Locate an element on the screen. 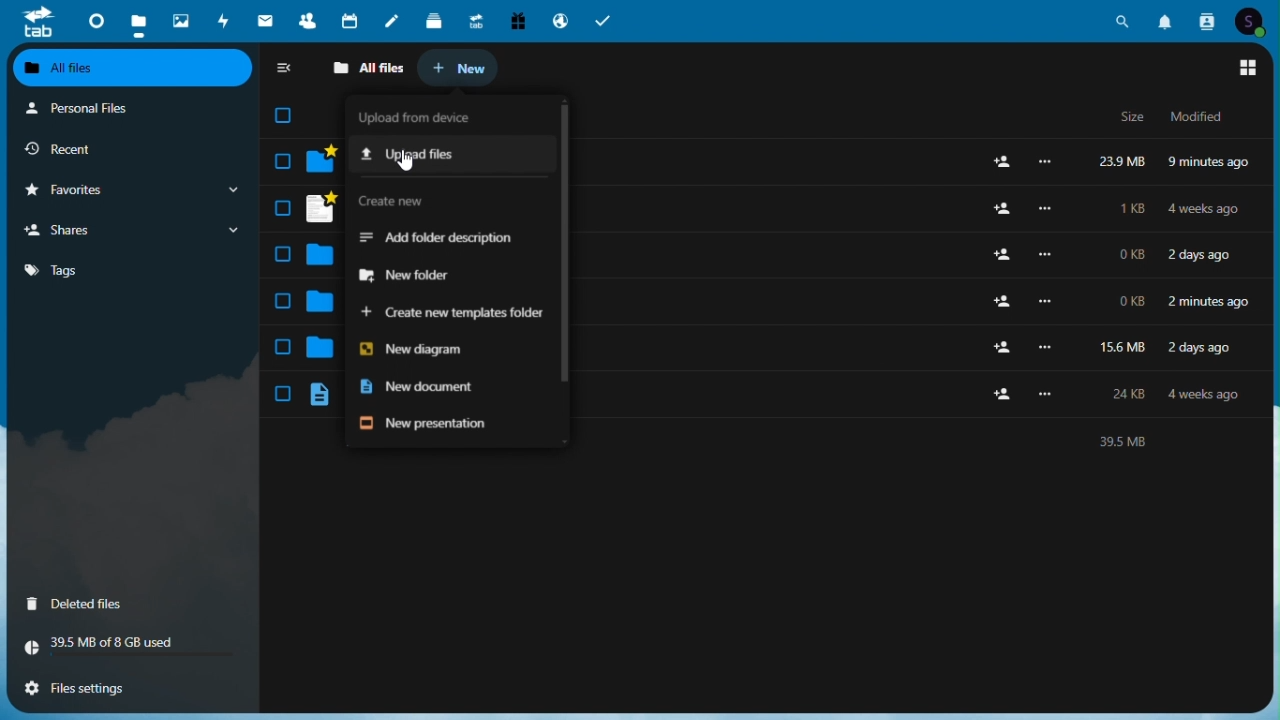 The image size is (1280, 720). files is located at coordinates (140, 19).